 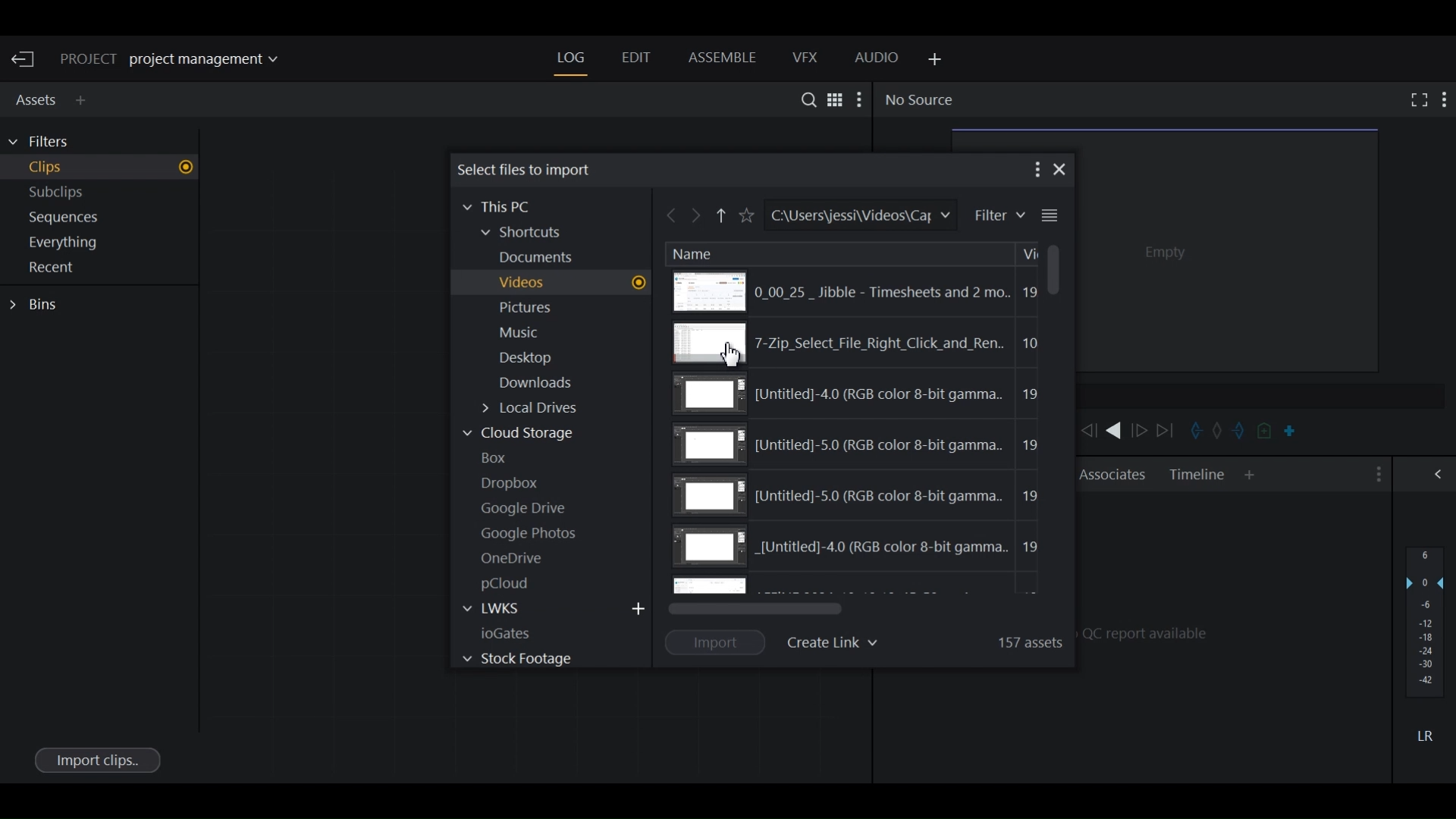 What do you see at coordinates (102, 268) in the screenshot?
I see `Show Recent in current project` at bounding box center [102, 268].